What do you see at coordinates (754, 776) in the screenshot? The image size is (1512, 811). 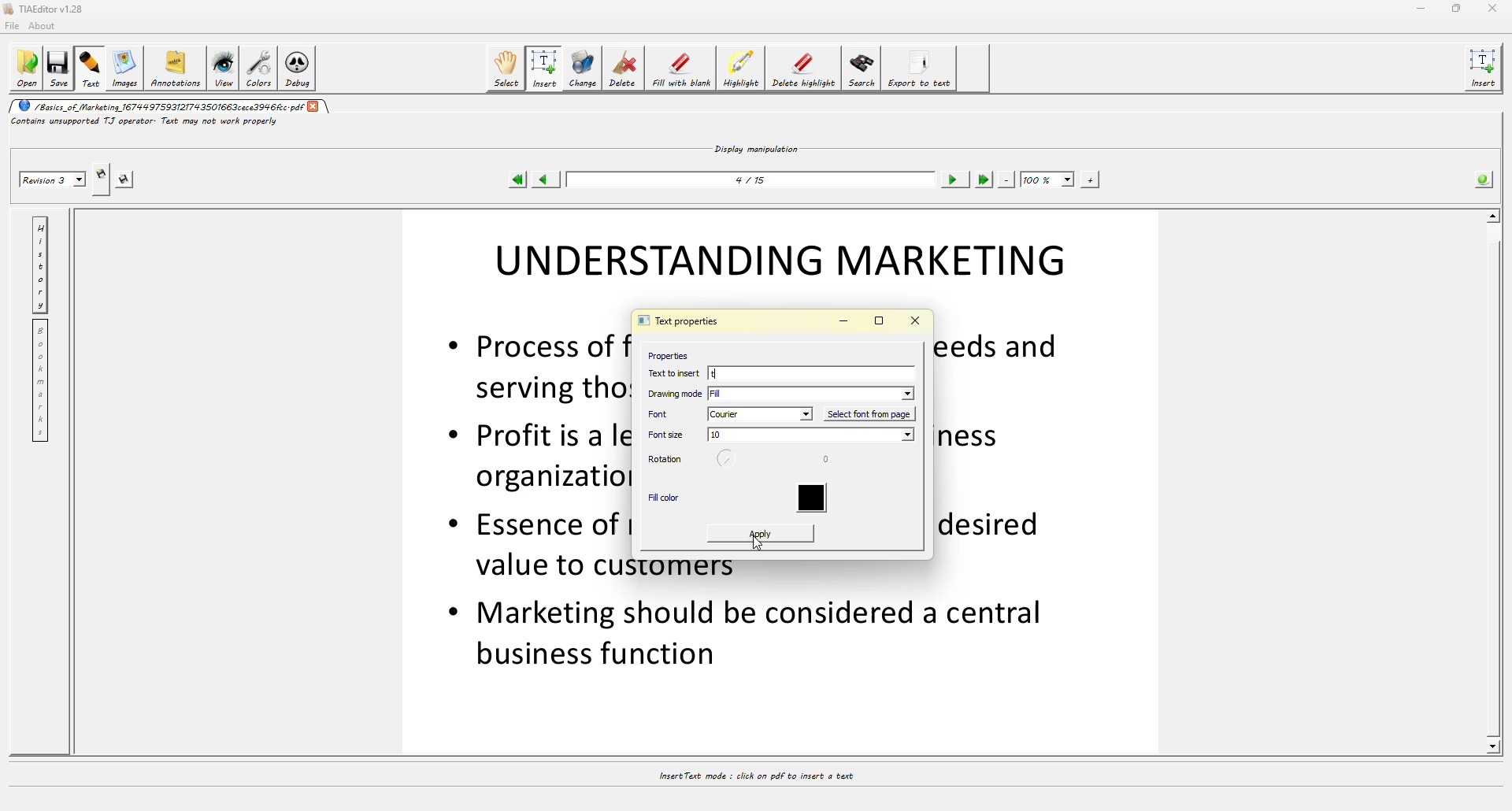 I see `insert text mode: click on pdf to insert a text` at bounding box center [754, 776].